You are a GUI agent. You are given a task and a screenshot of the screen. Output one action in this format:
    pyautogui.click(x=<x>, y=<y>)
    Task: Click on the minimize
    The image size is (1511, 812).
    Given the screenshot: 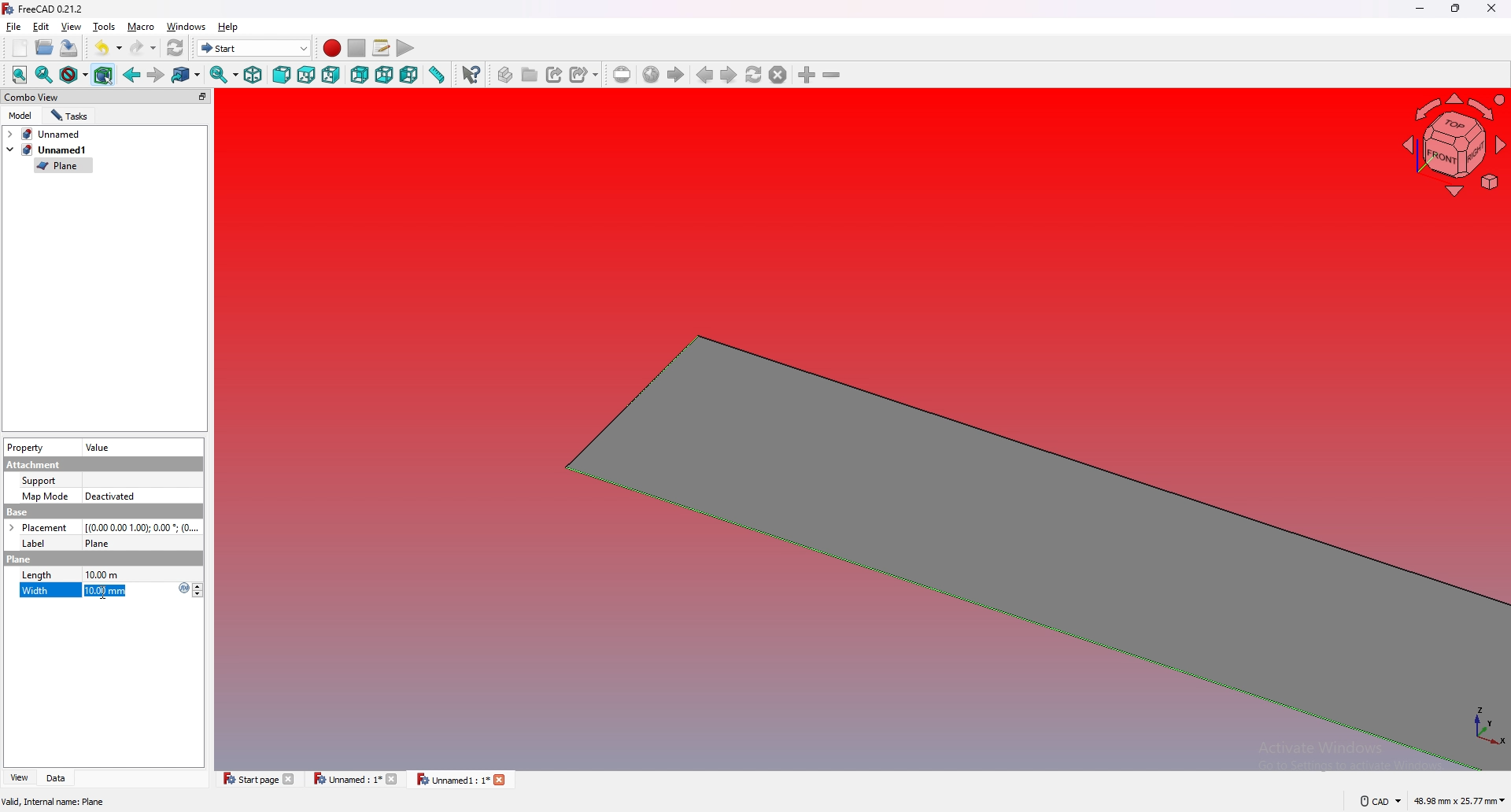 What is the action you would take?
    pyautogui.click(x=1421, y=9)
    